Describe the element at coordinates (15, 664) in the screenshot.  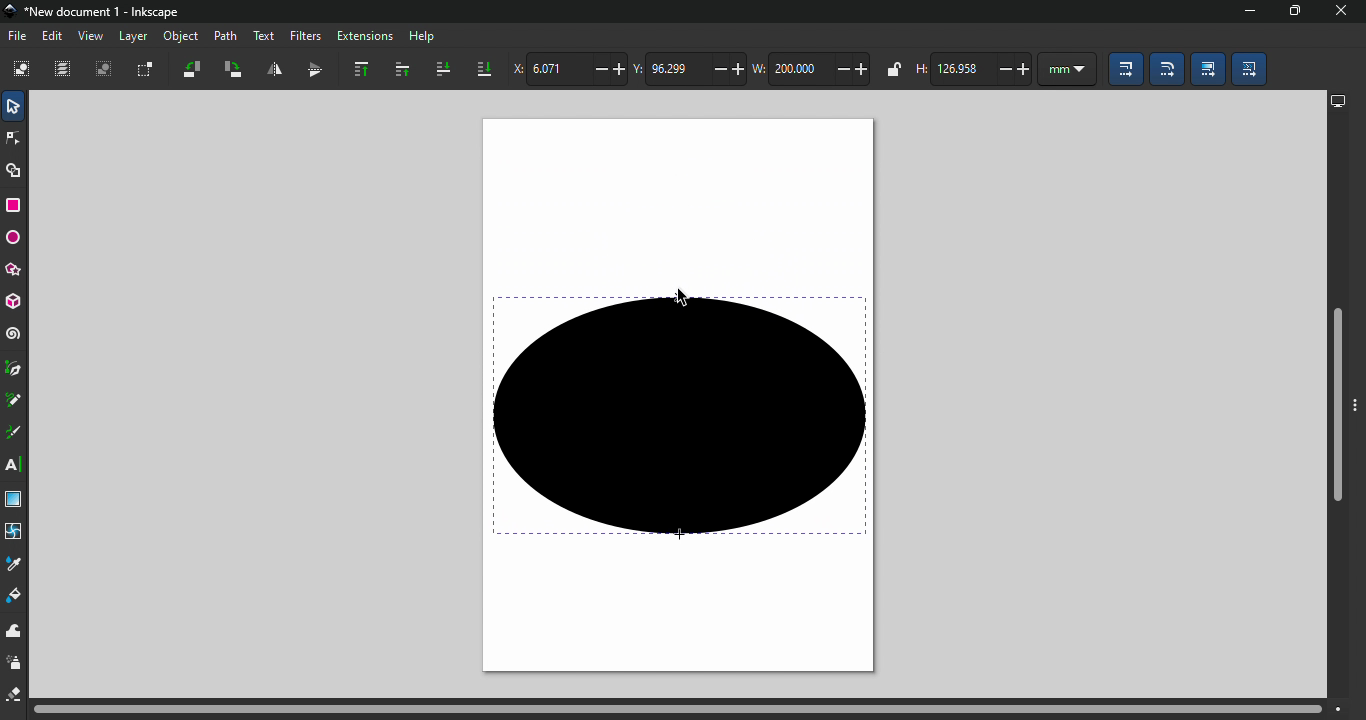
I see `spray` at that location.